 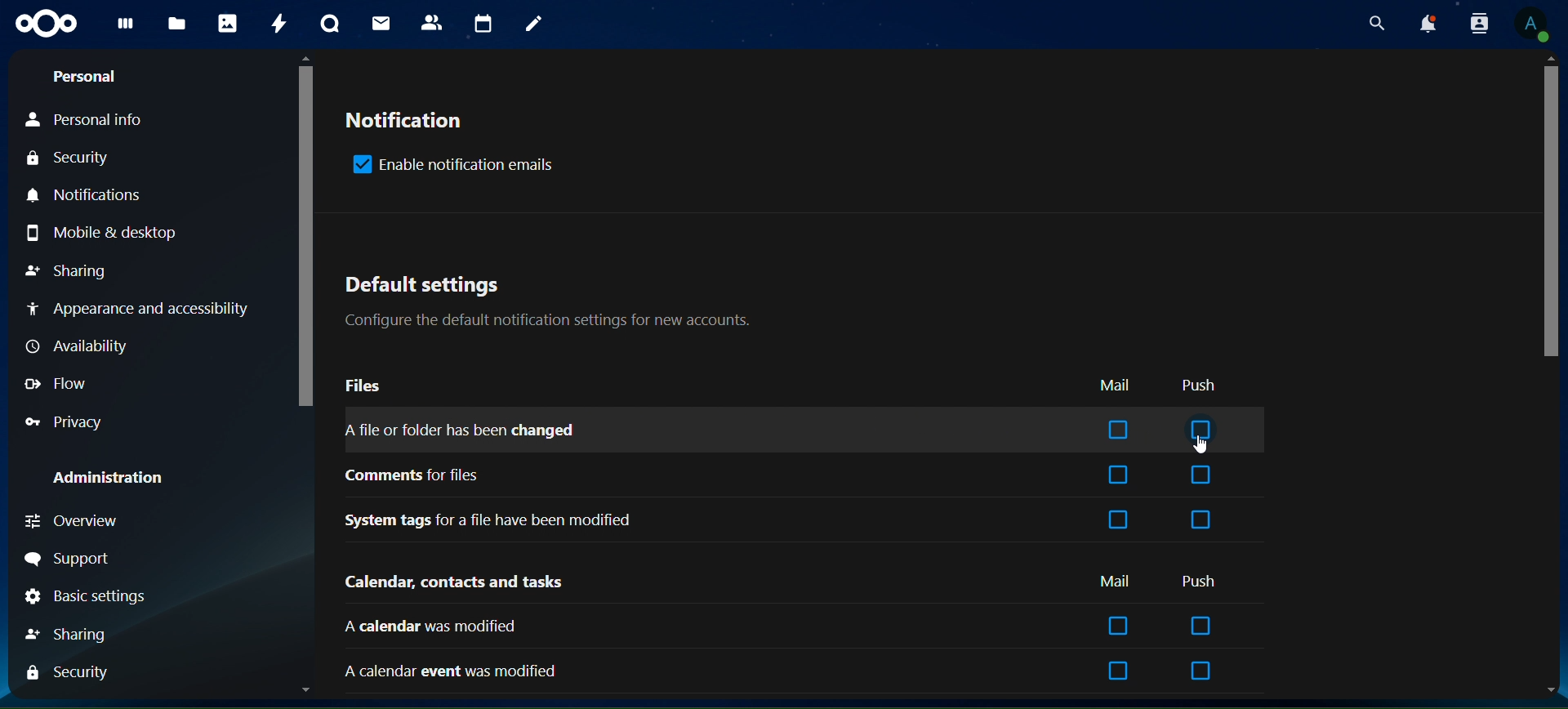 What do you see at coordinates (415, 476) in the screenshot?
I see `comments for files` at bounding box center [415, 476].